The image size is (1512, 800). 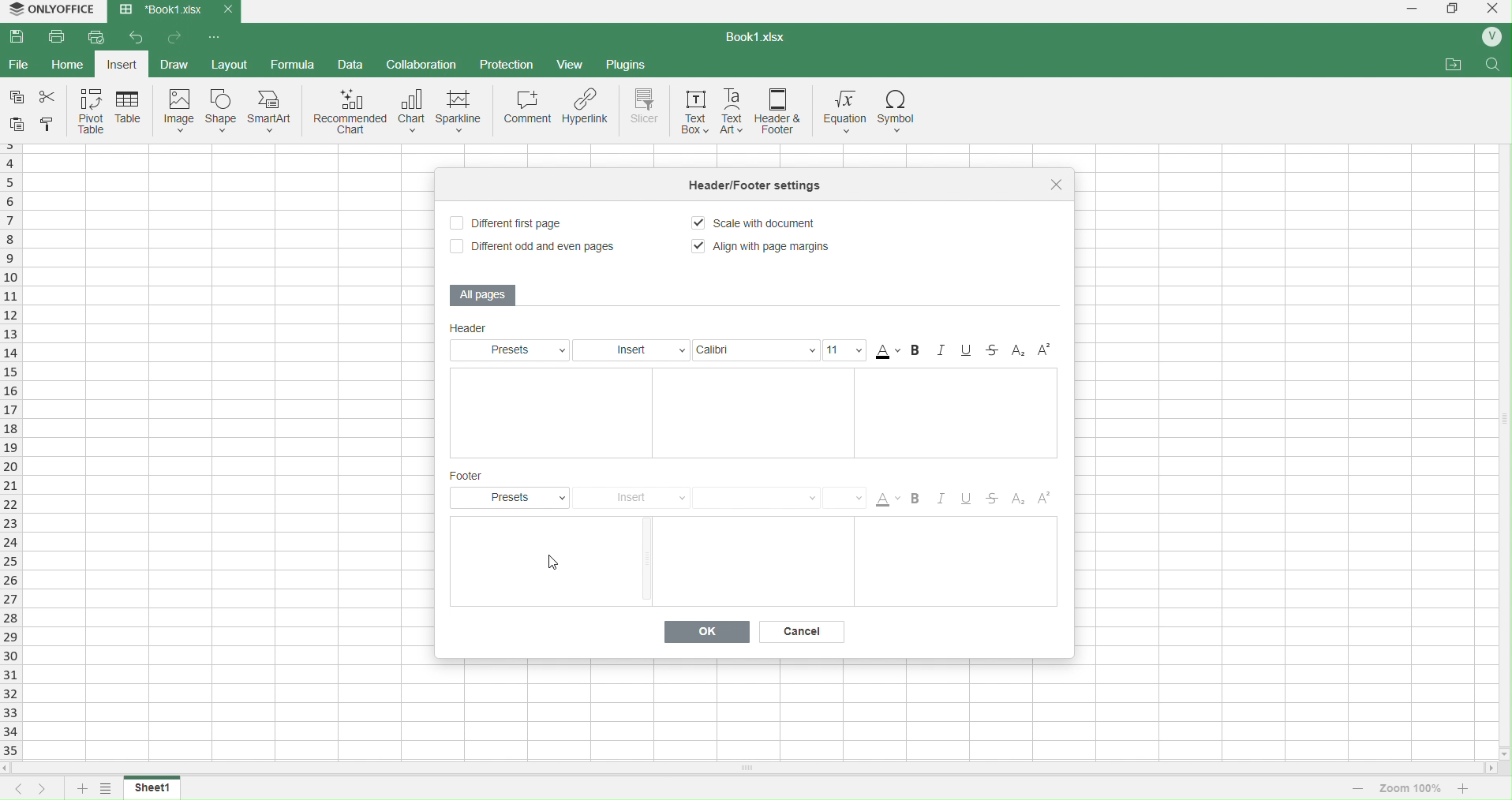 I want to click on windows, so click(x=1451, y=11).